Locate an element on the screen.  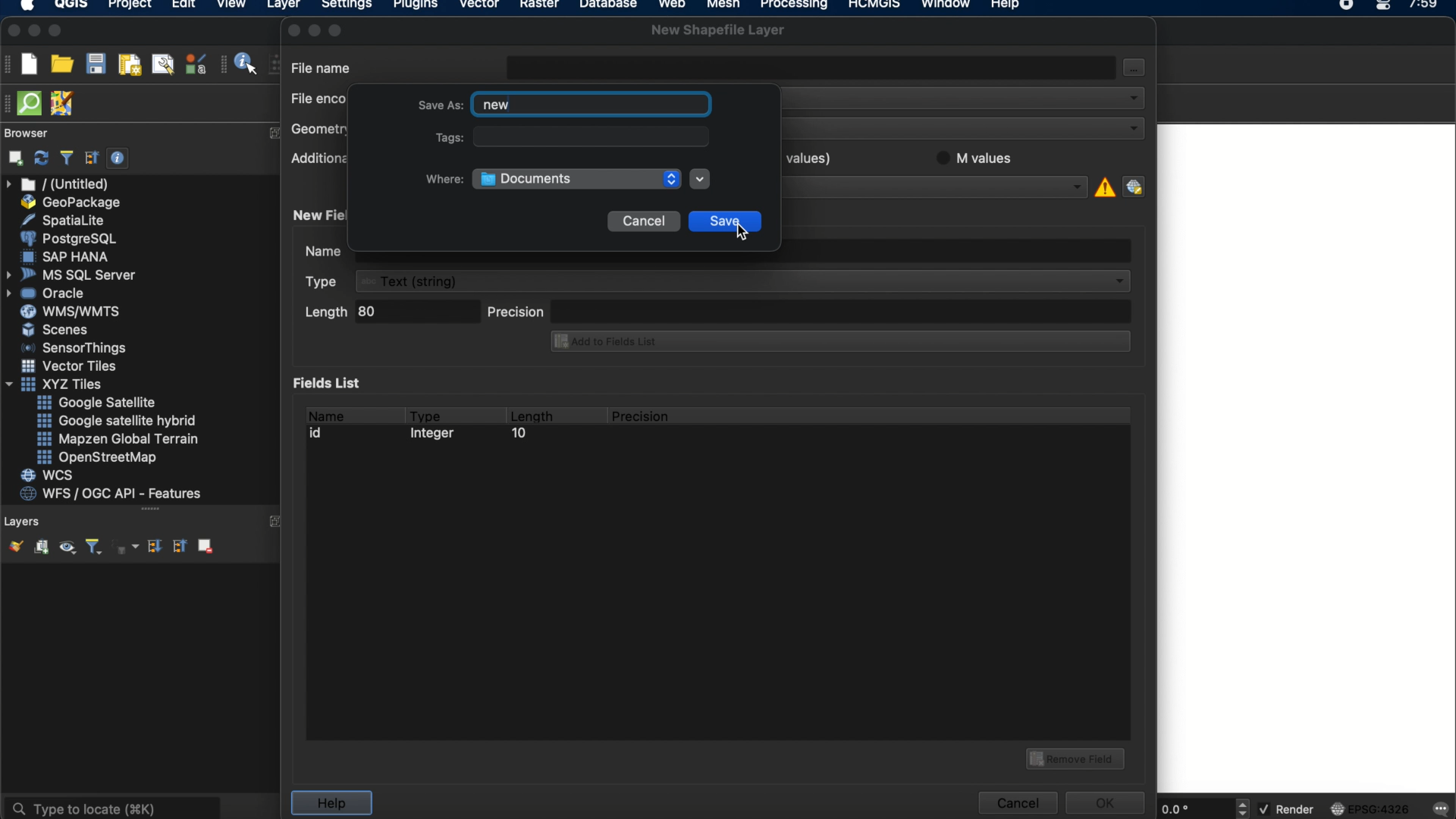
show layout is located at coordinates (163, 64).